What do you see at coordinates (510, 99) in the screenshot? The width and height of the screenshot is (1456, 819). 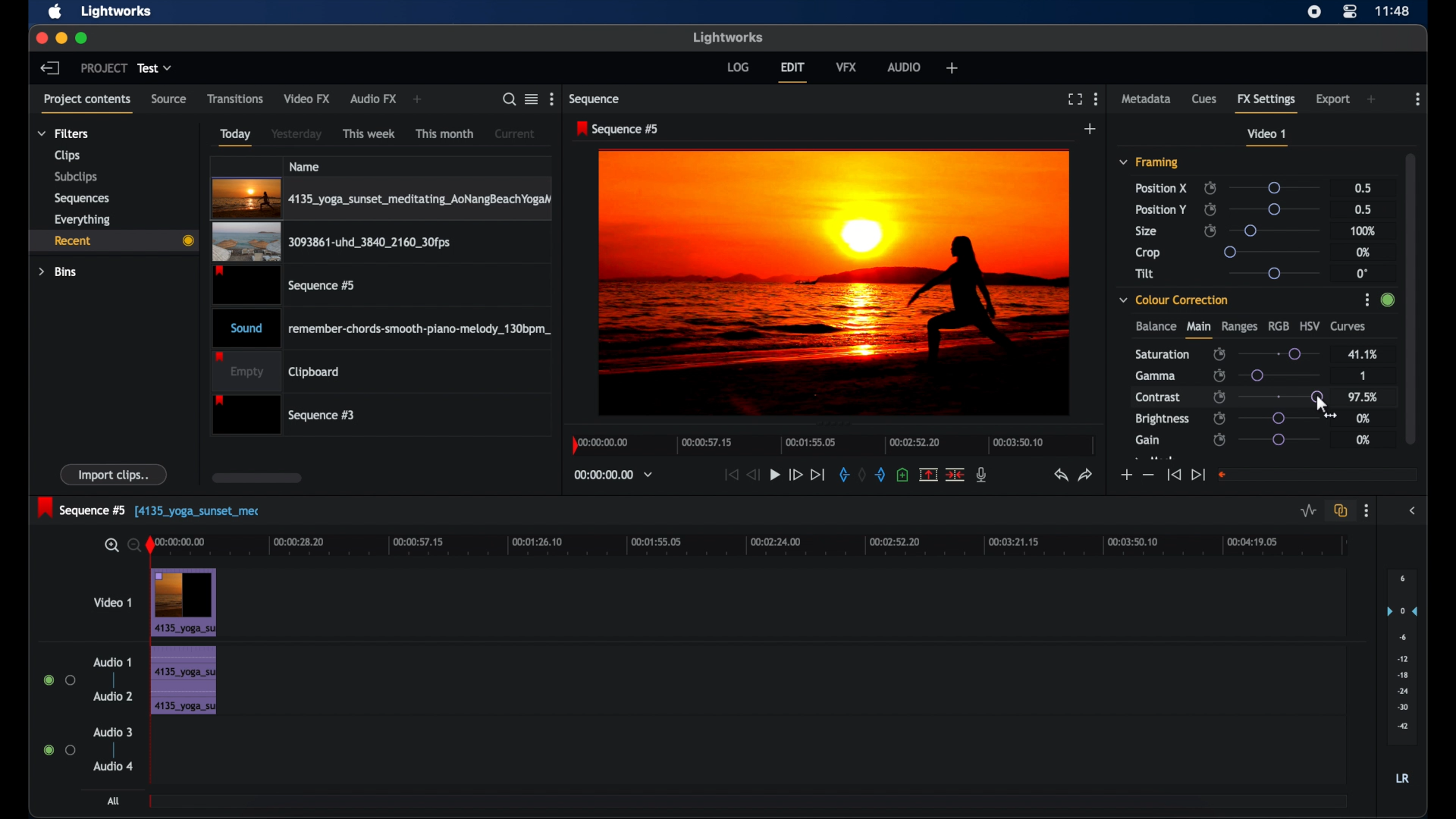 I see `search` at bounding box center [510, 99].